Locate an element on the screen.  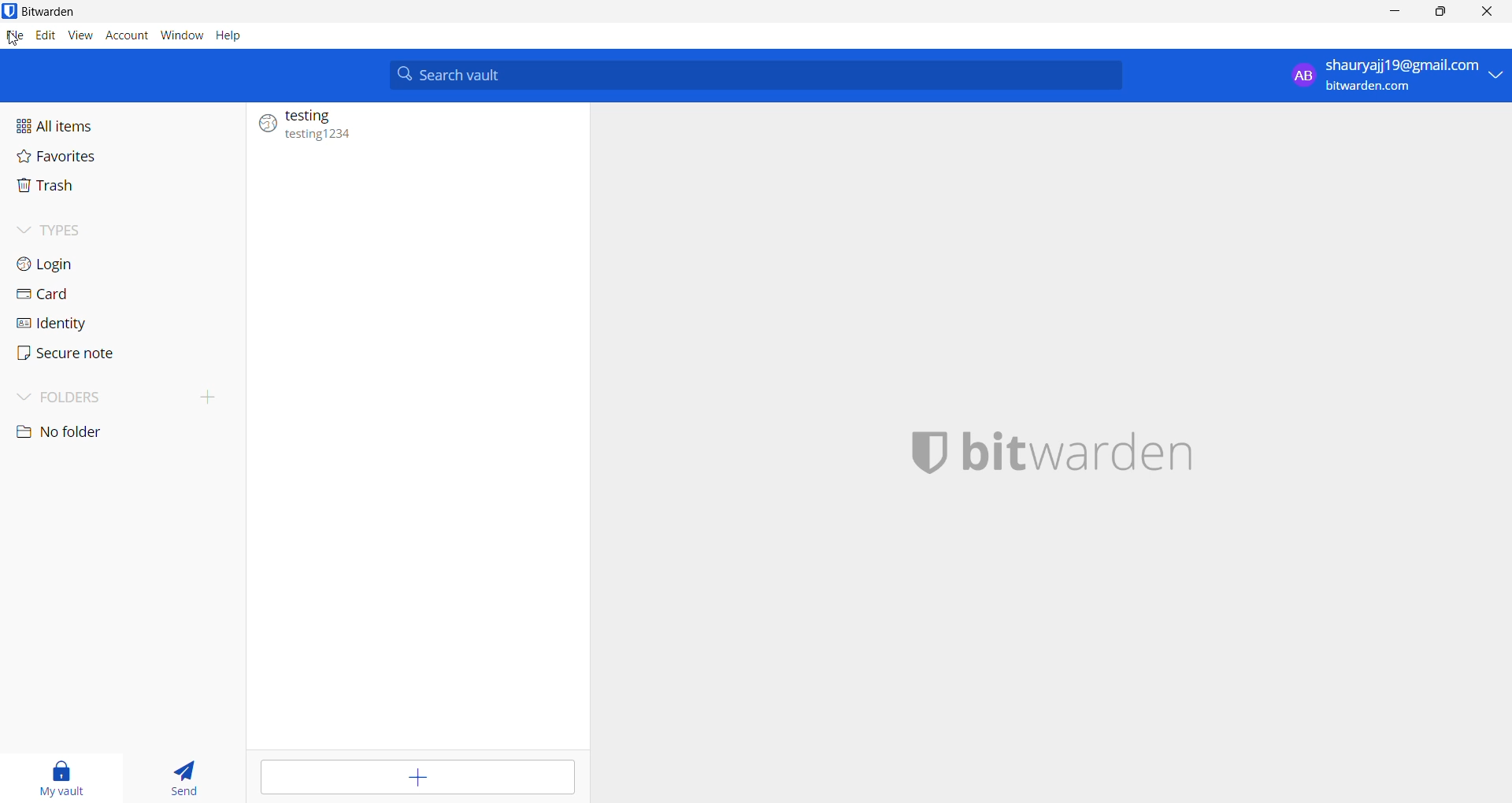
view is located at coordinates (79, 35).